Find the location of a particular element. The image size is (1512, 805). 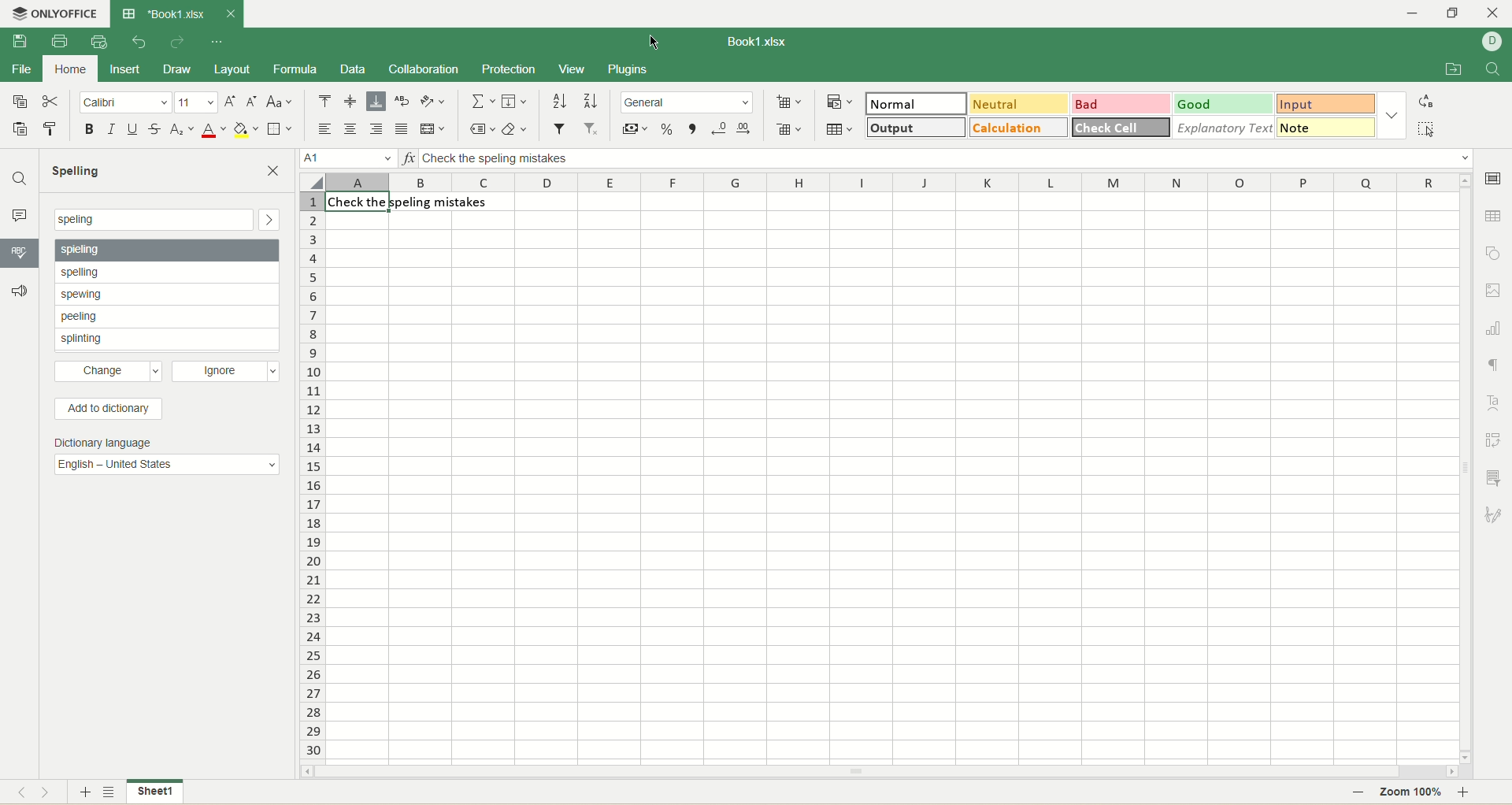

font name is located at coordinates (128, 102).